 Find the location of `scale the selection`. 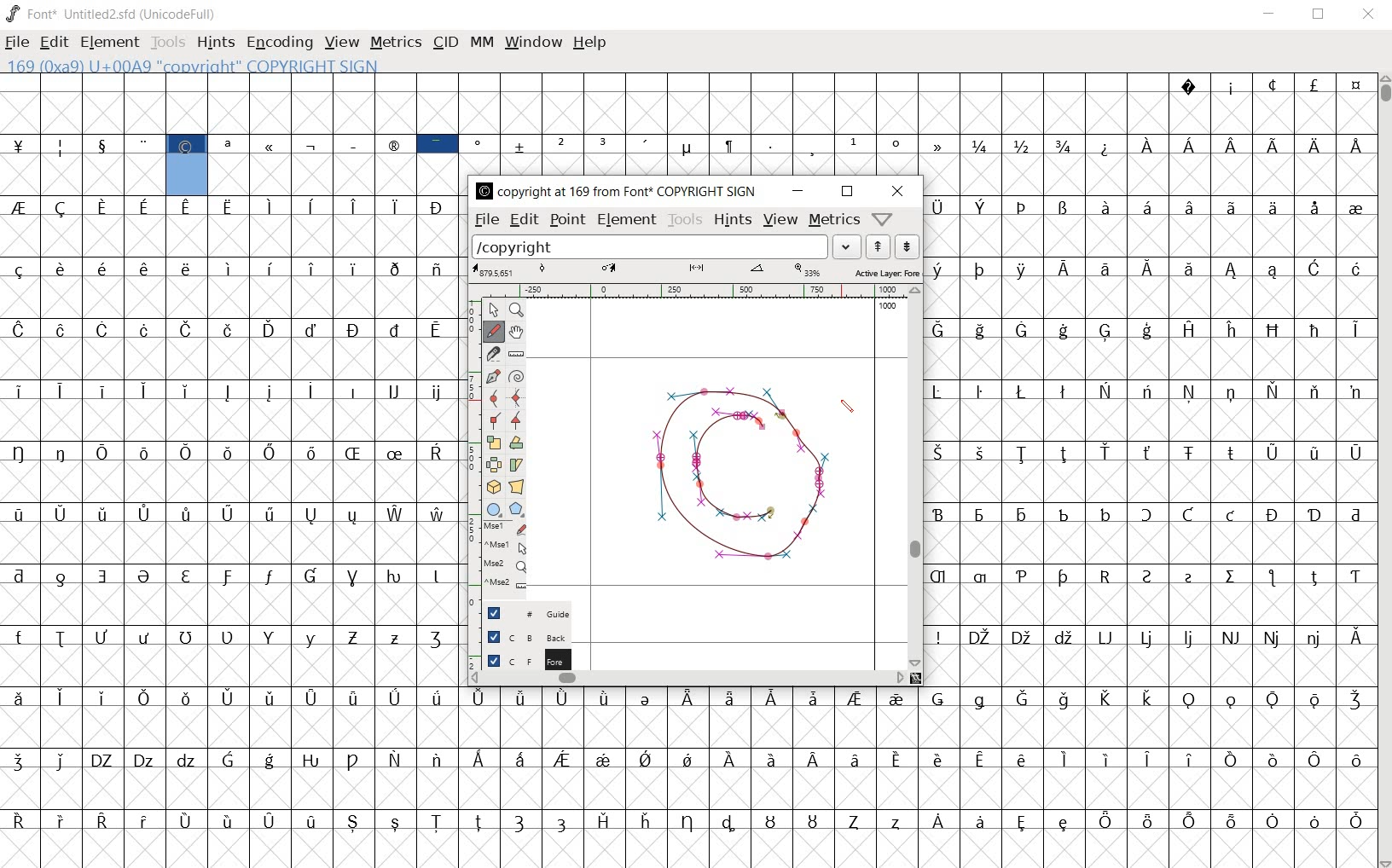

scale the selection is located at coordinates (494, 443).